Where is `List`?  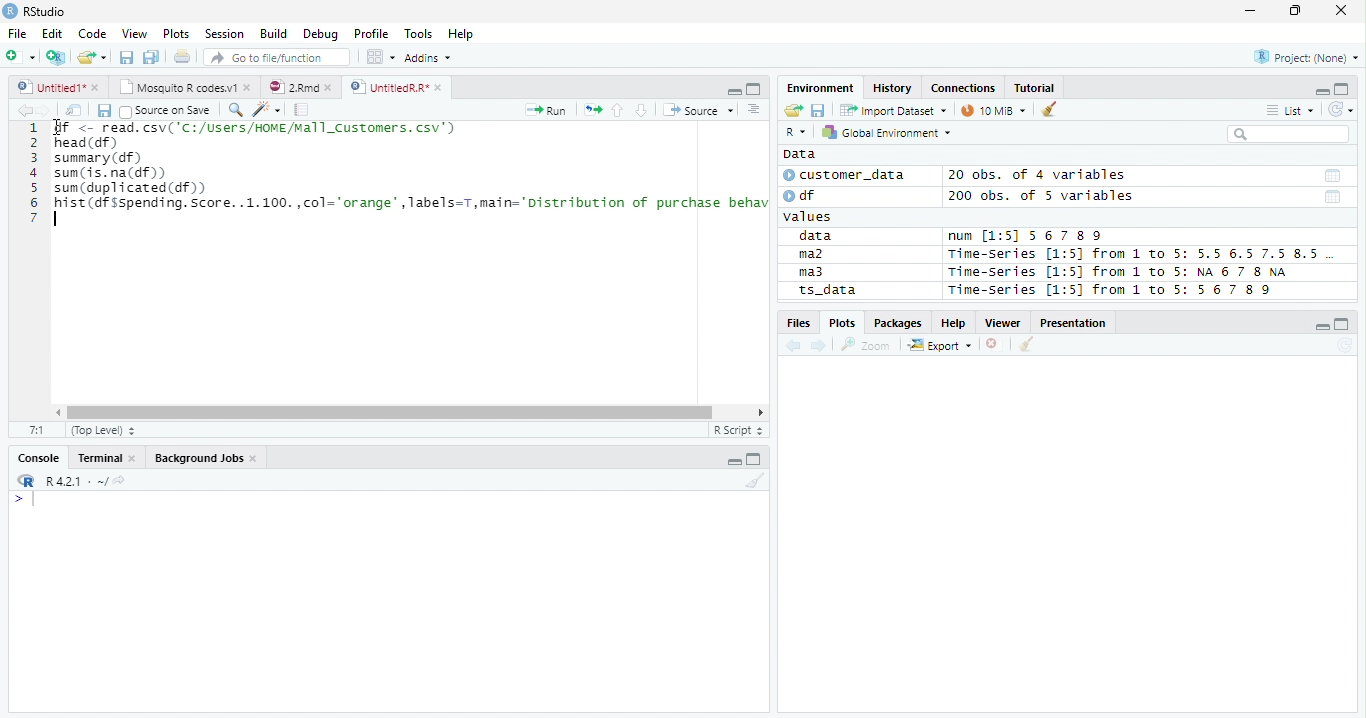
List is located at coordinates (1289, 111).